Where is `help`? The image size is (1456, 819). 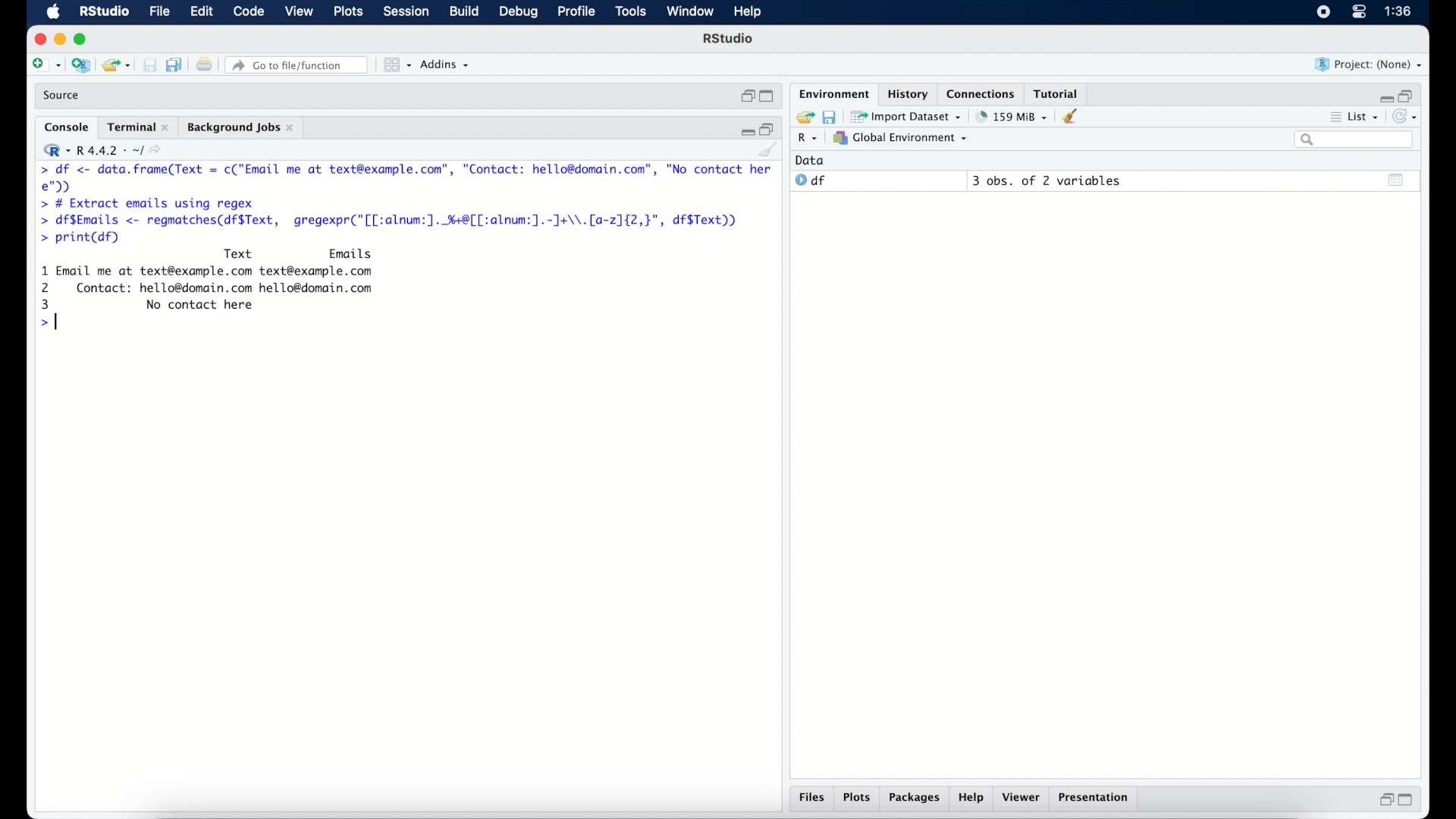 help is located at coordinates (748, 12).